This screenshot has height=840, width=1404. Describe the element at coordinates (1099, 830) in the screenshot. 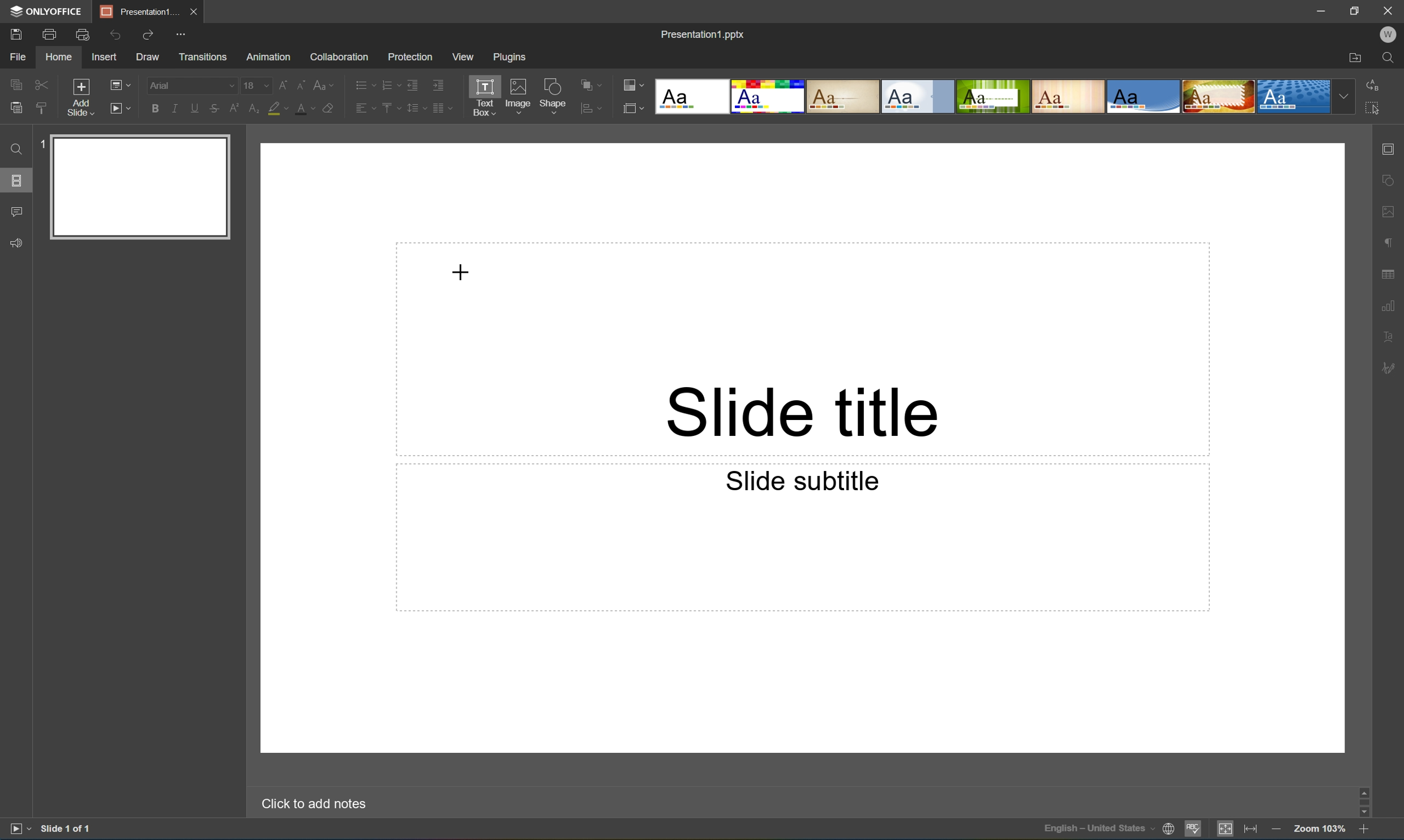

I see `English - United States` at that location.